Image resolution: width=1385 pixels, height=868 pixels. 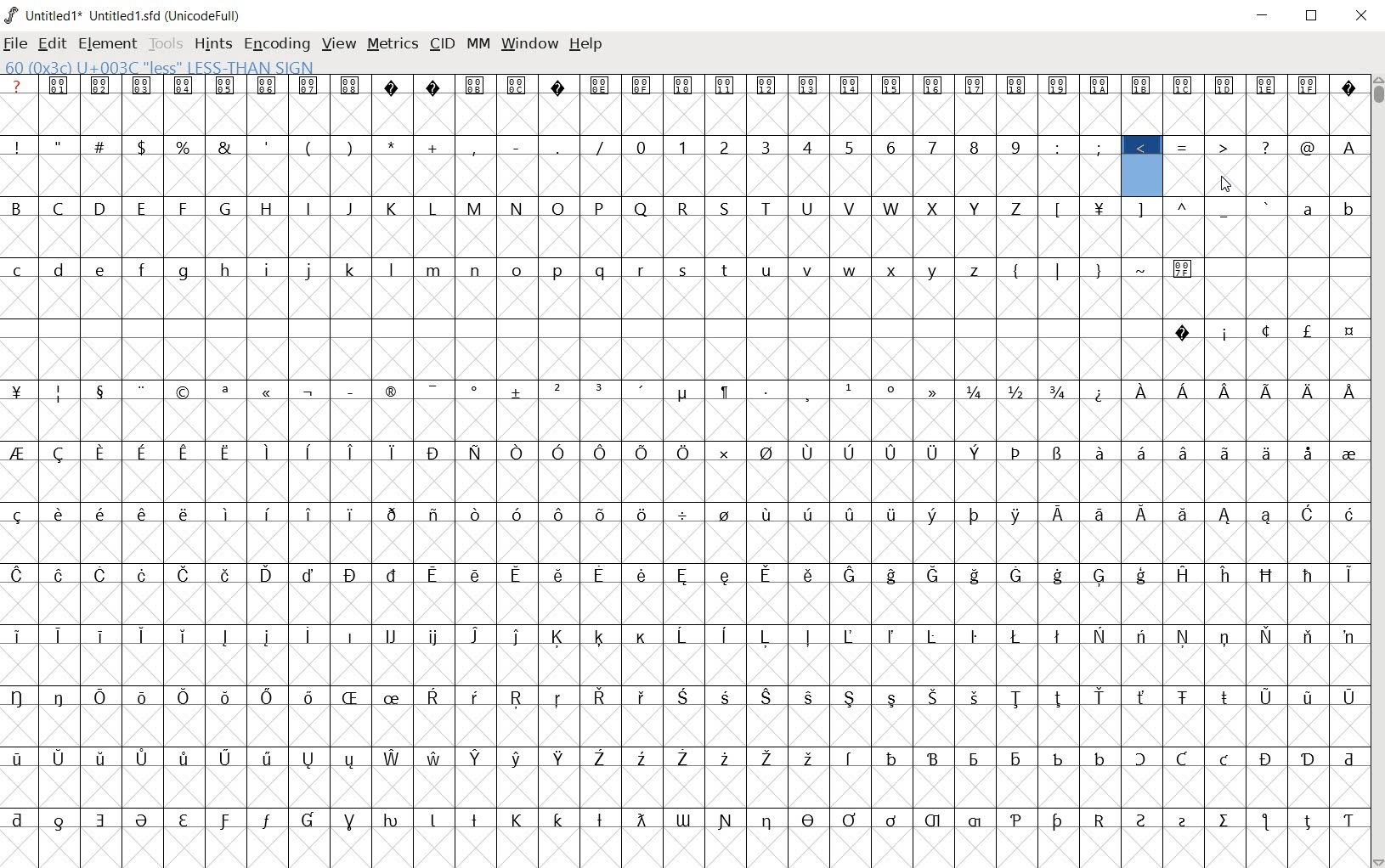 I want to click on Untitled1 Untitled1.sfd (UnicodeFull), so click(x=123, y=13).